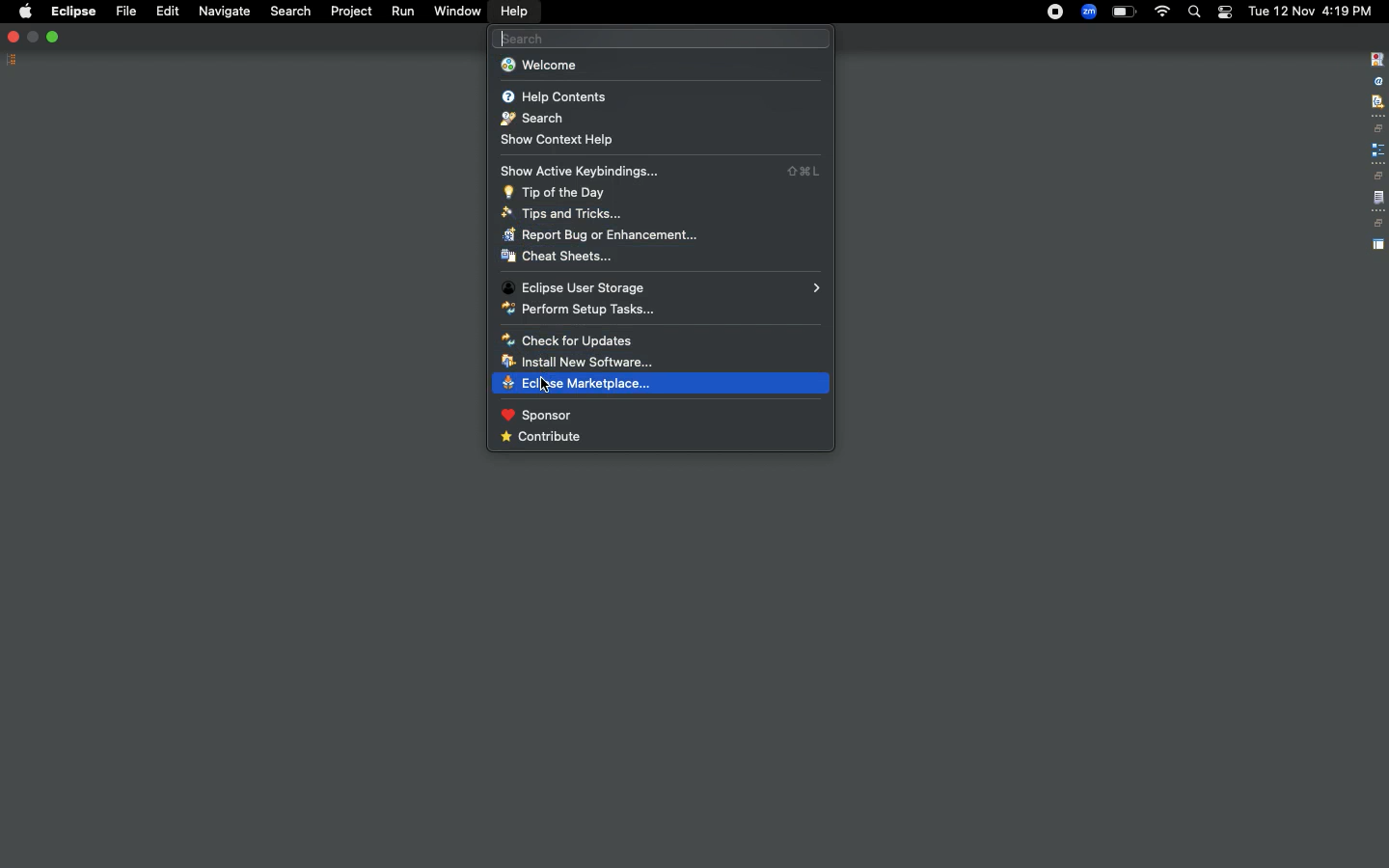  What do you see at coordinates (1377, 176) in the screenshot?
I see `restore` at bounding box center [1377, 176].